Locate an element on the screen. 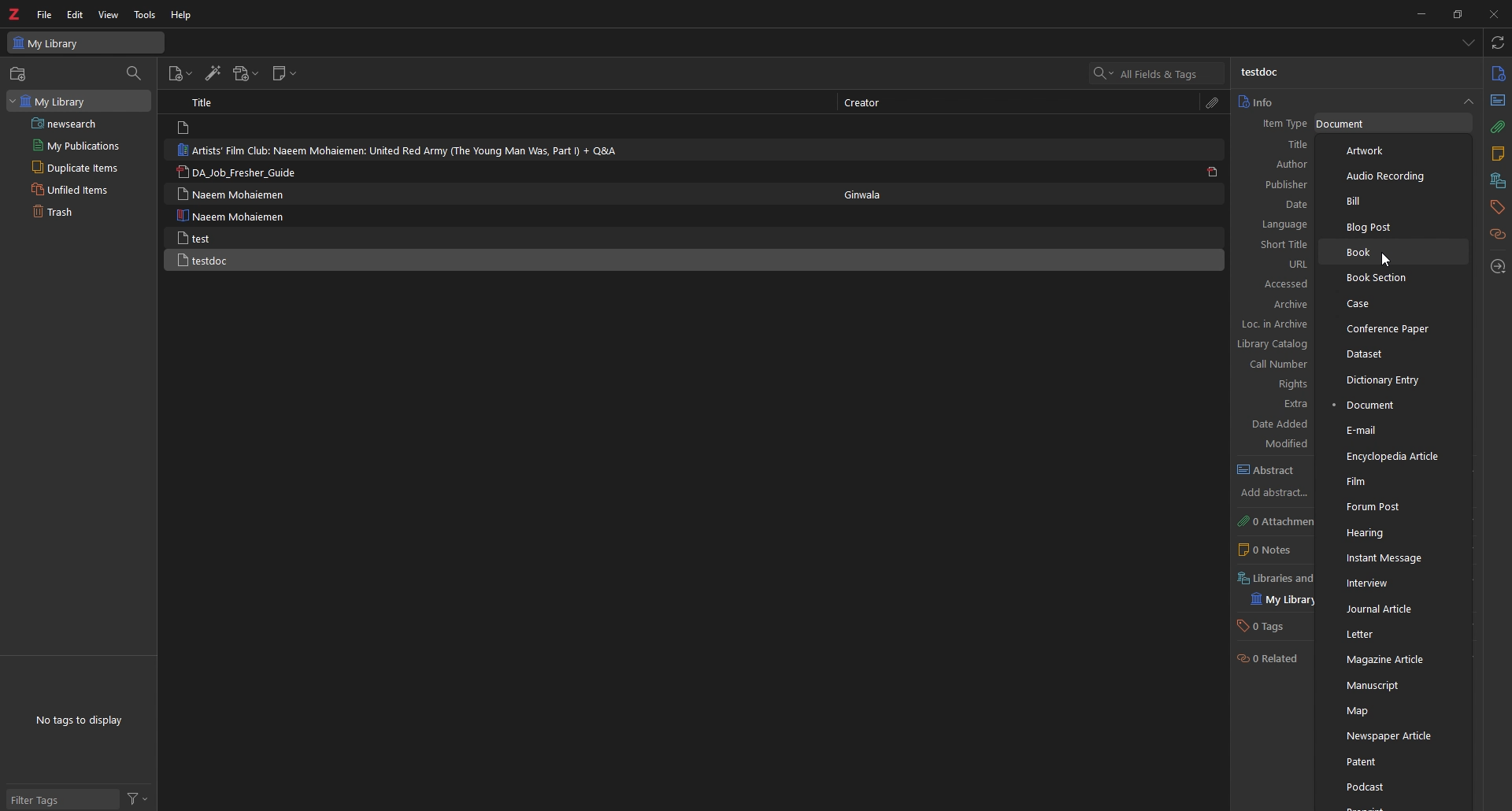 The image size is (1512, 811). artwork is located at coordinates (1392, 151).